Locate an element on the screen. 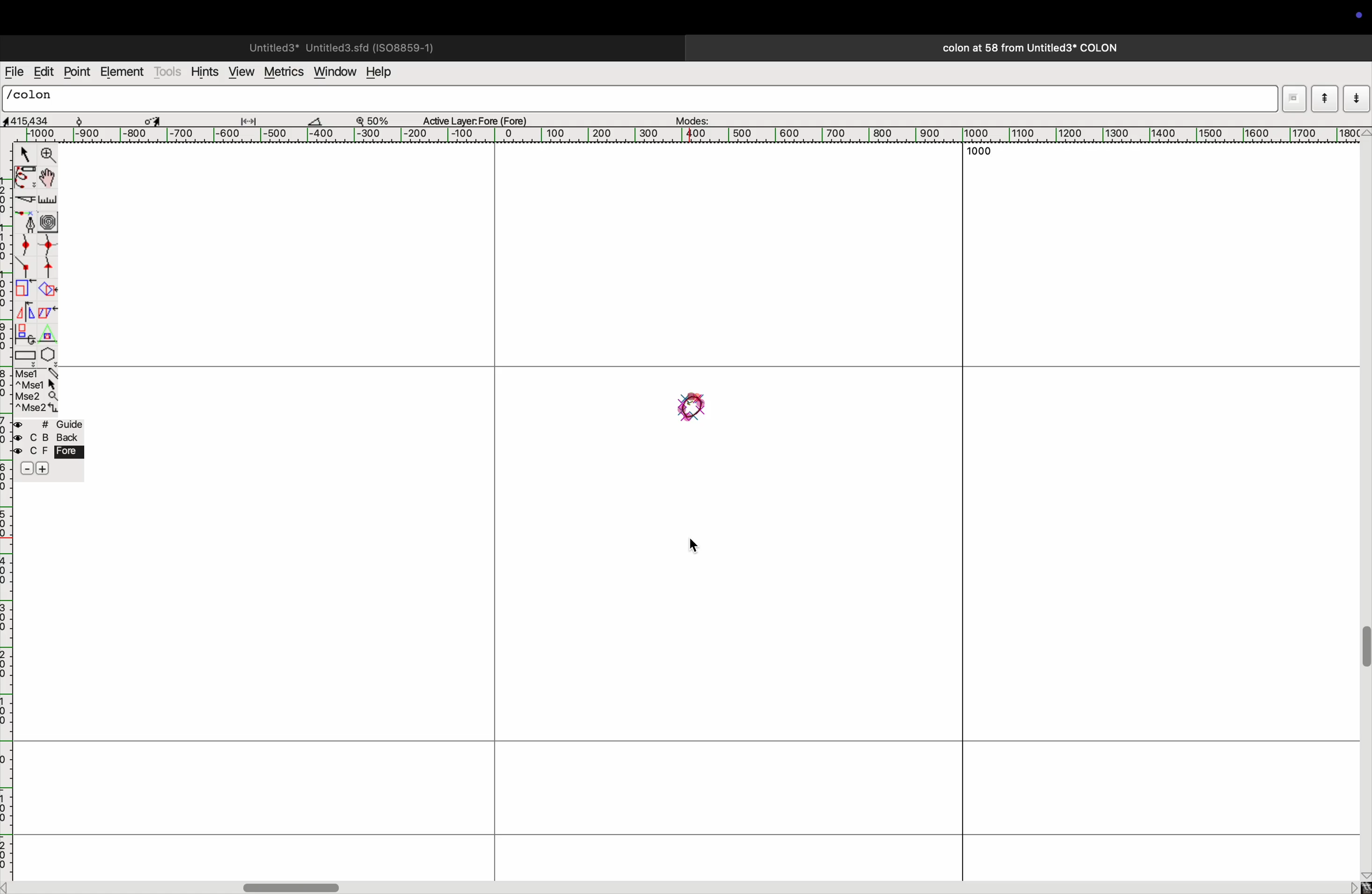 The image size is (1372, 894). colon title is located at coordinates (1025, 48).